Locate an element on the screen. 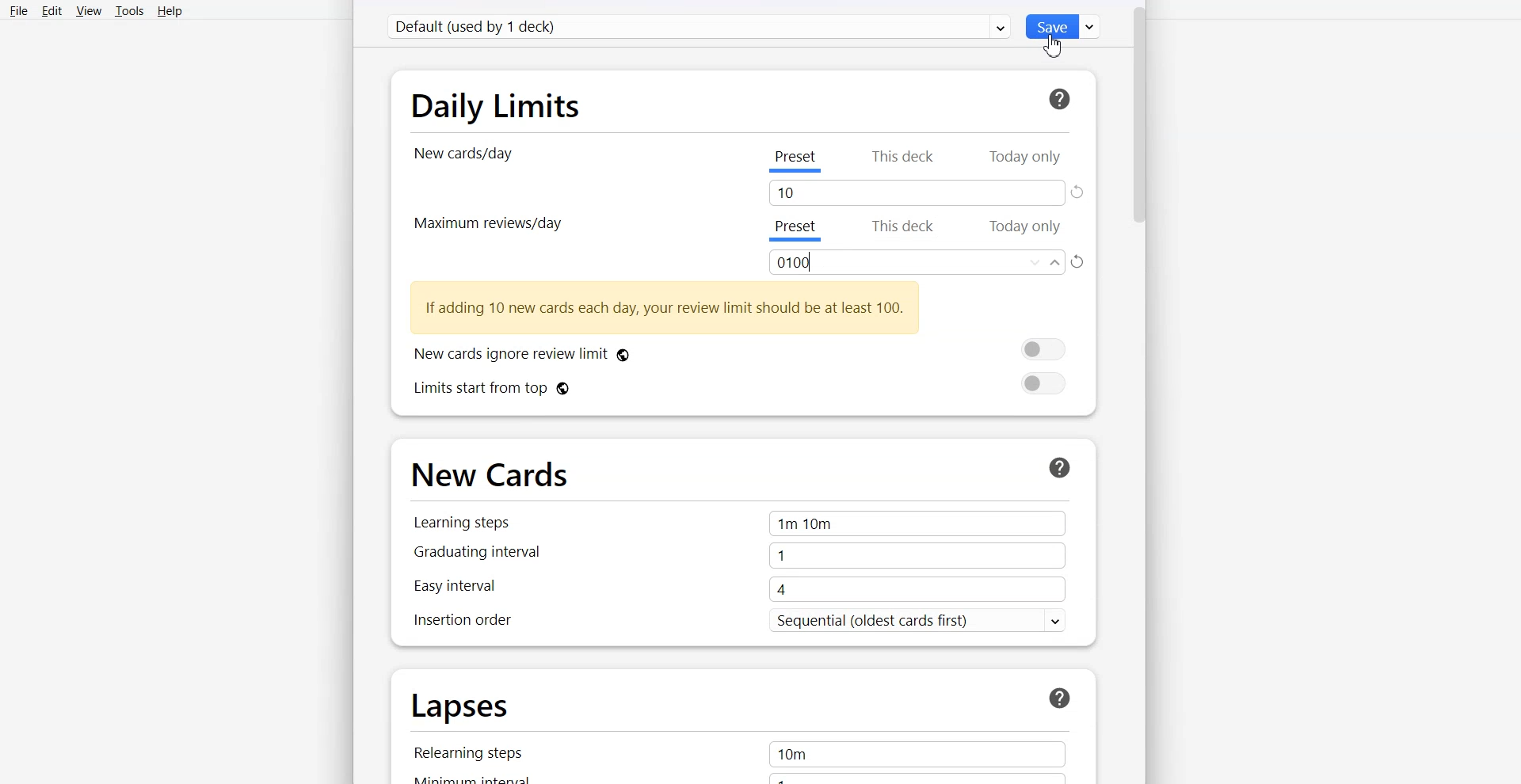 The image size is (1521, 784). New cards ignore review limit  is located at coordinates (739, 351).